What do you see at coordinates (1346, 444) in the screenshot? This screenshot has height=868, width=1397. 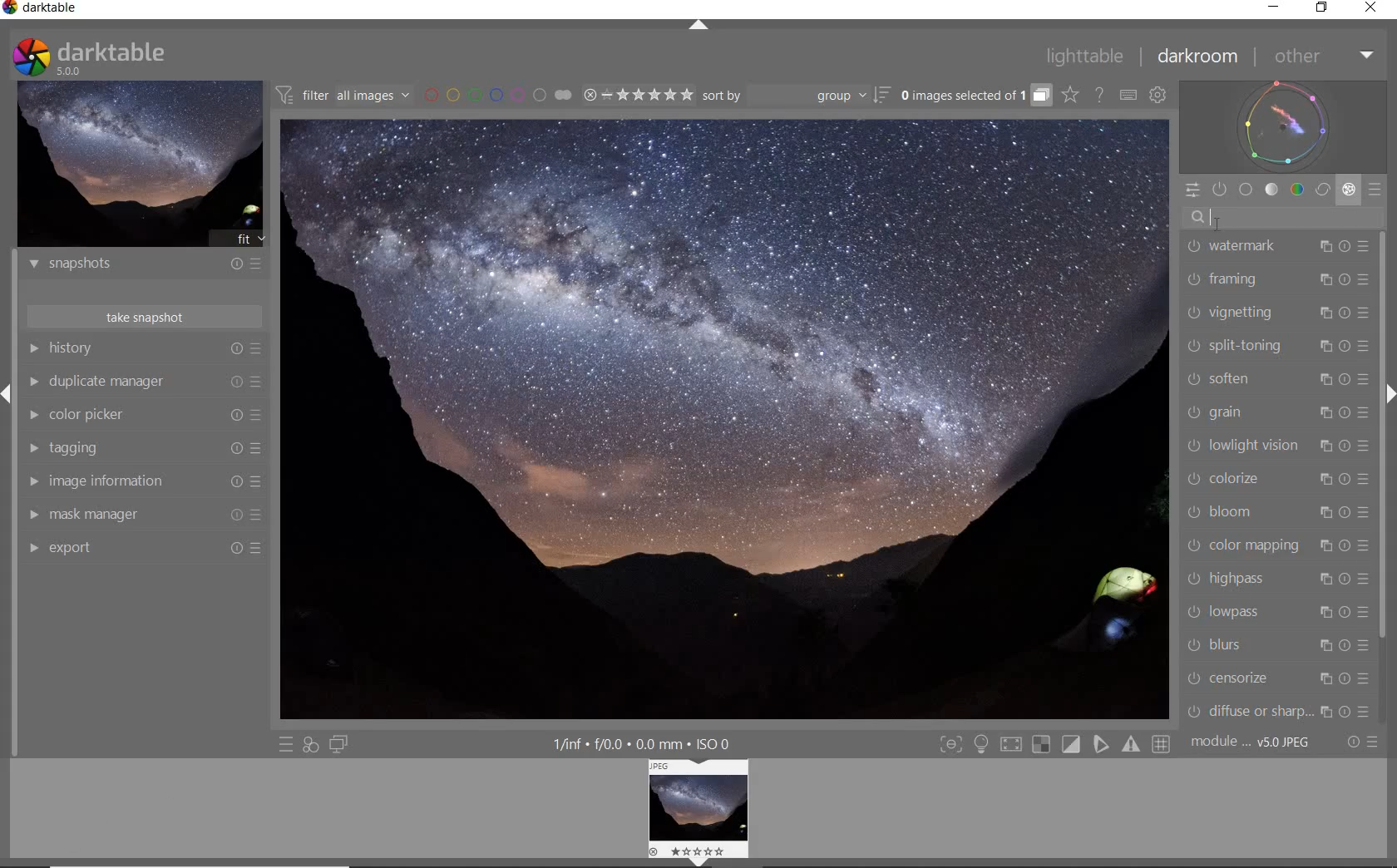 I see `reset parameters` at bounding box center [1346, 444].